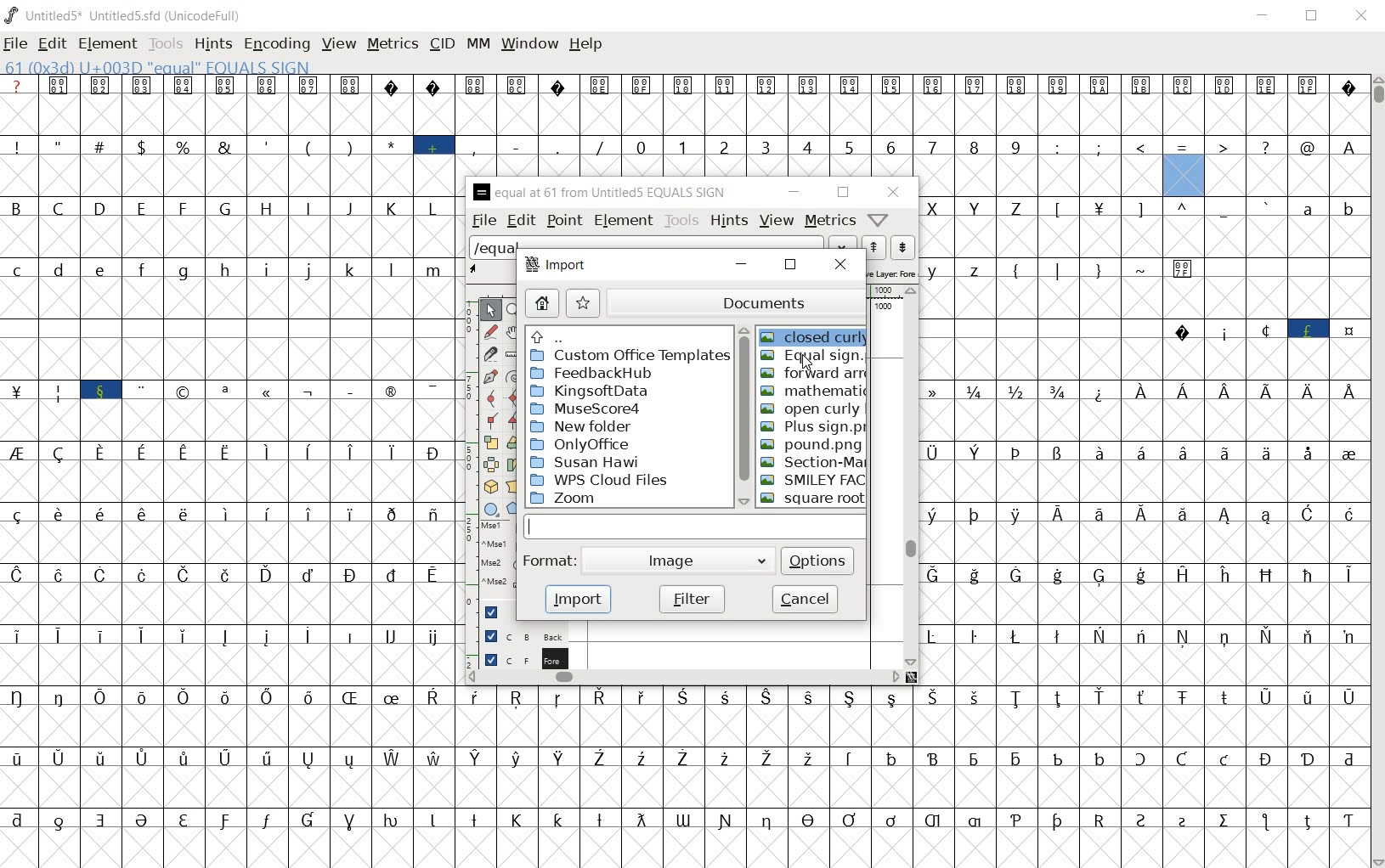  Describe the element at coordinates (581, 445) in the screenshot. I see `ONLYOFFICE` at that location.